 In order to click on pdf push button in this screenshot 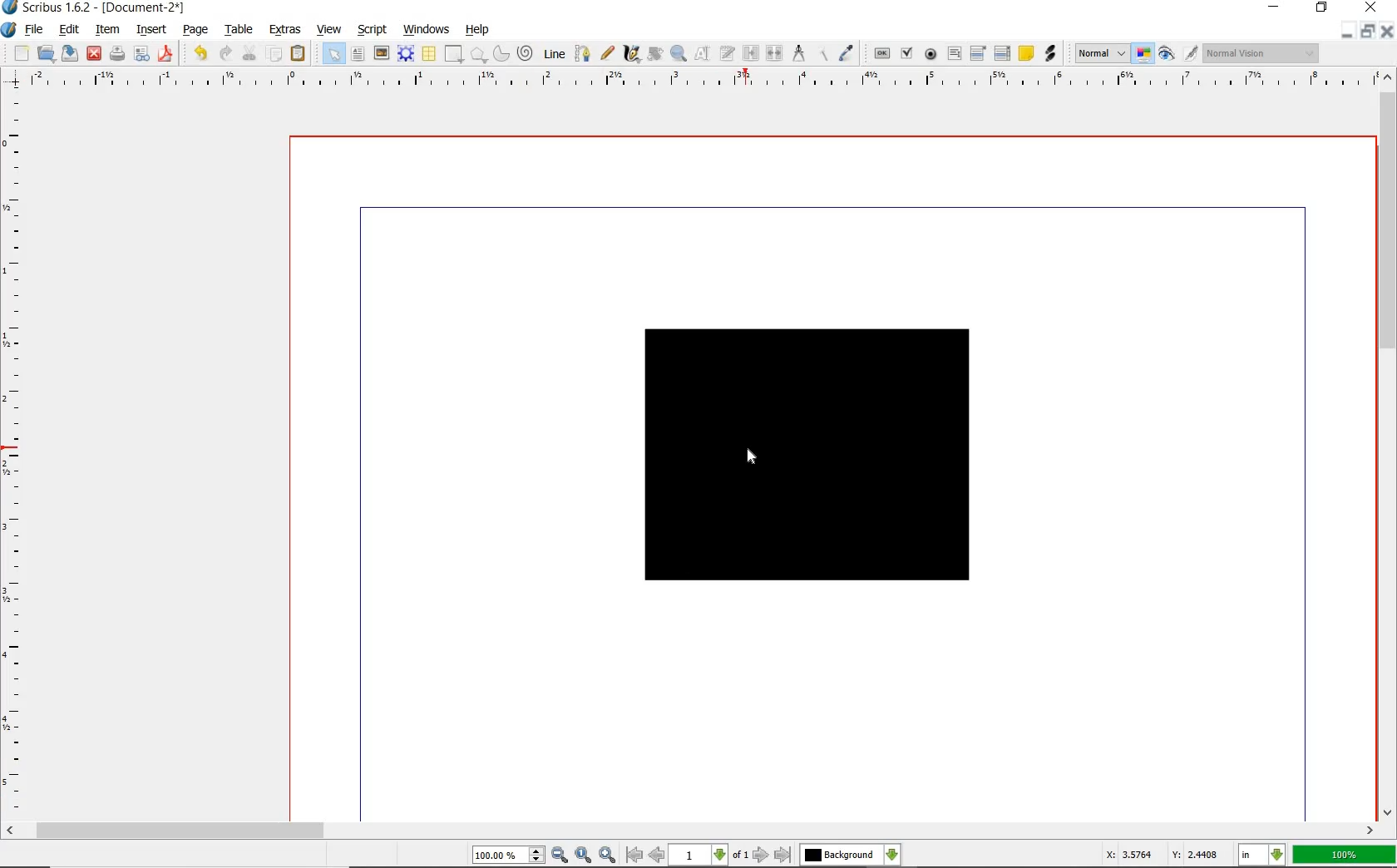, I will do `click(880, 55)`.